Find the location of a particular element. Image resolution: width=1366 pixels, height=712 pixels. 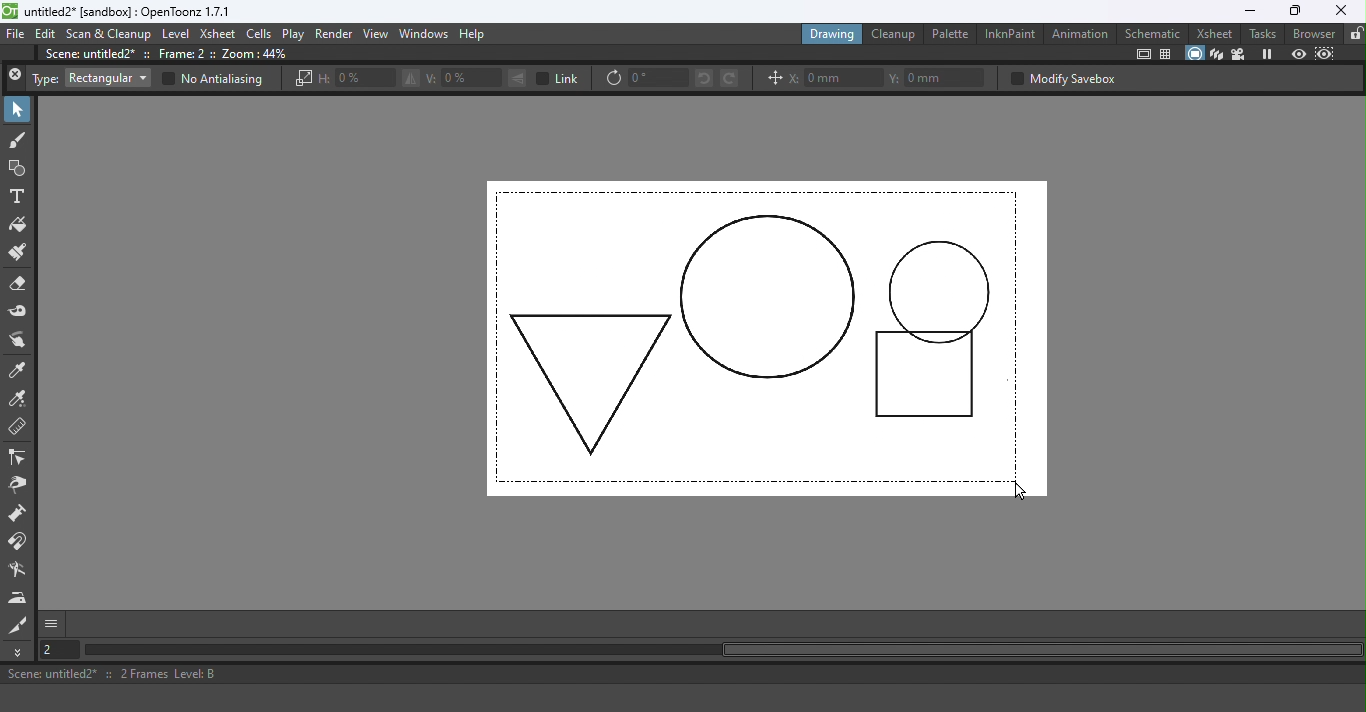

Scale is located at coordinates (302, 79).